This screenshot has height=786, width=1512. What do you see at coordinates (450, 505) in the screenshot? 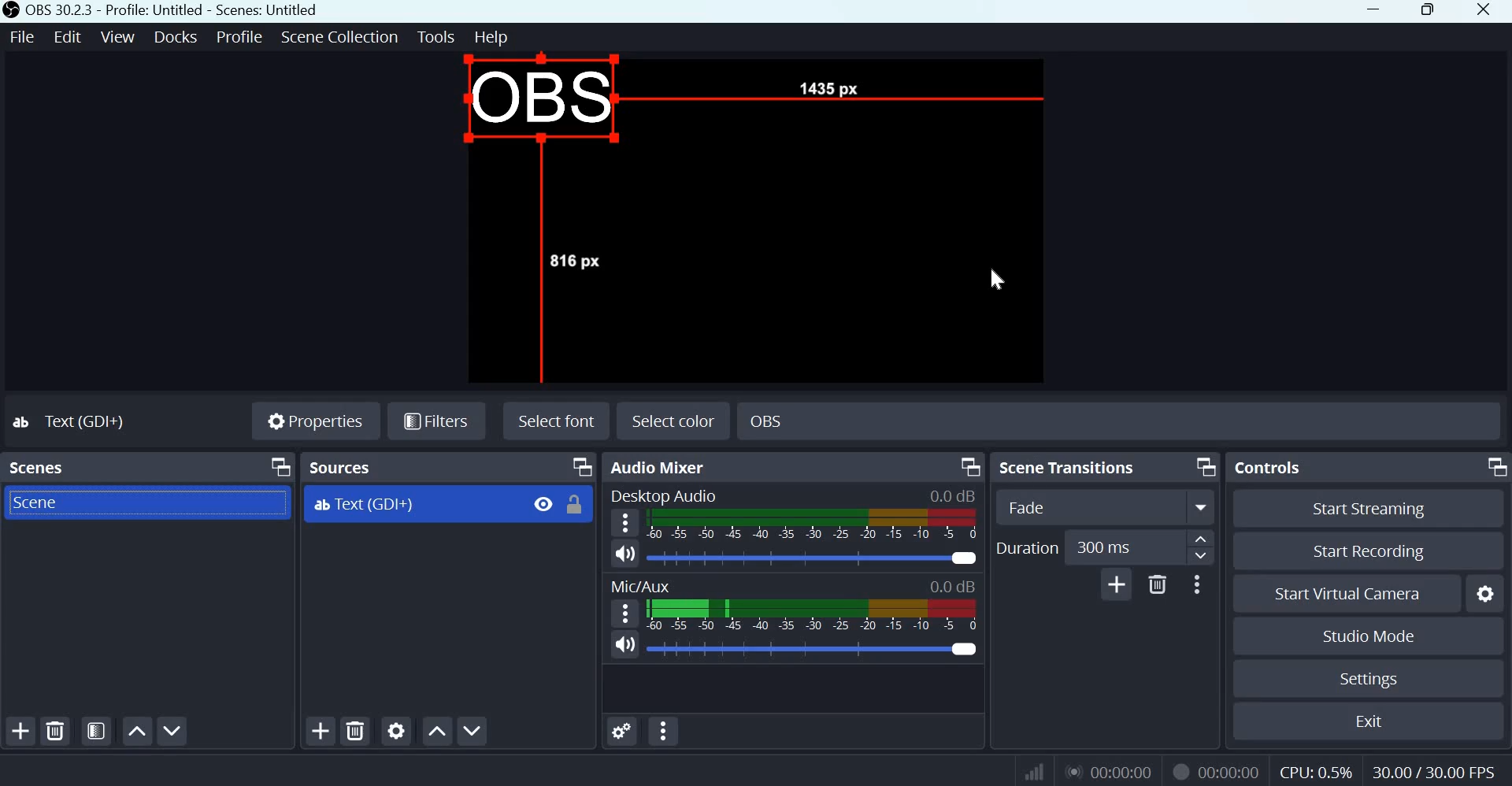
I see `Text (GDI+)` at bounding box center [450, 505].